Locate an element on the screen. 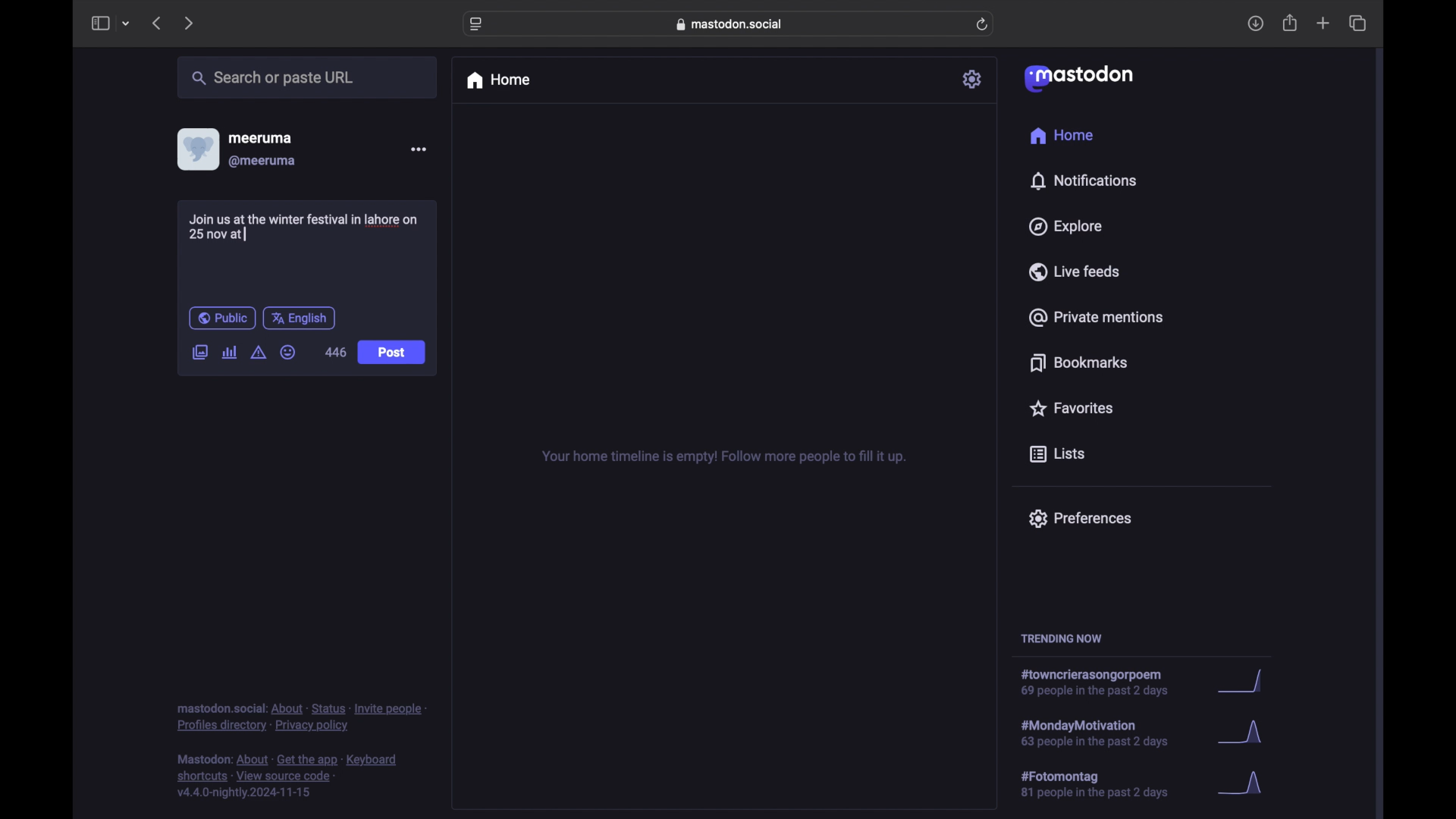  previous is located at coordinates (156, 23).